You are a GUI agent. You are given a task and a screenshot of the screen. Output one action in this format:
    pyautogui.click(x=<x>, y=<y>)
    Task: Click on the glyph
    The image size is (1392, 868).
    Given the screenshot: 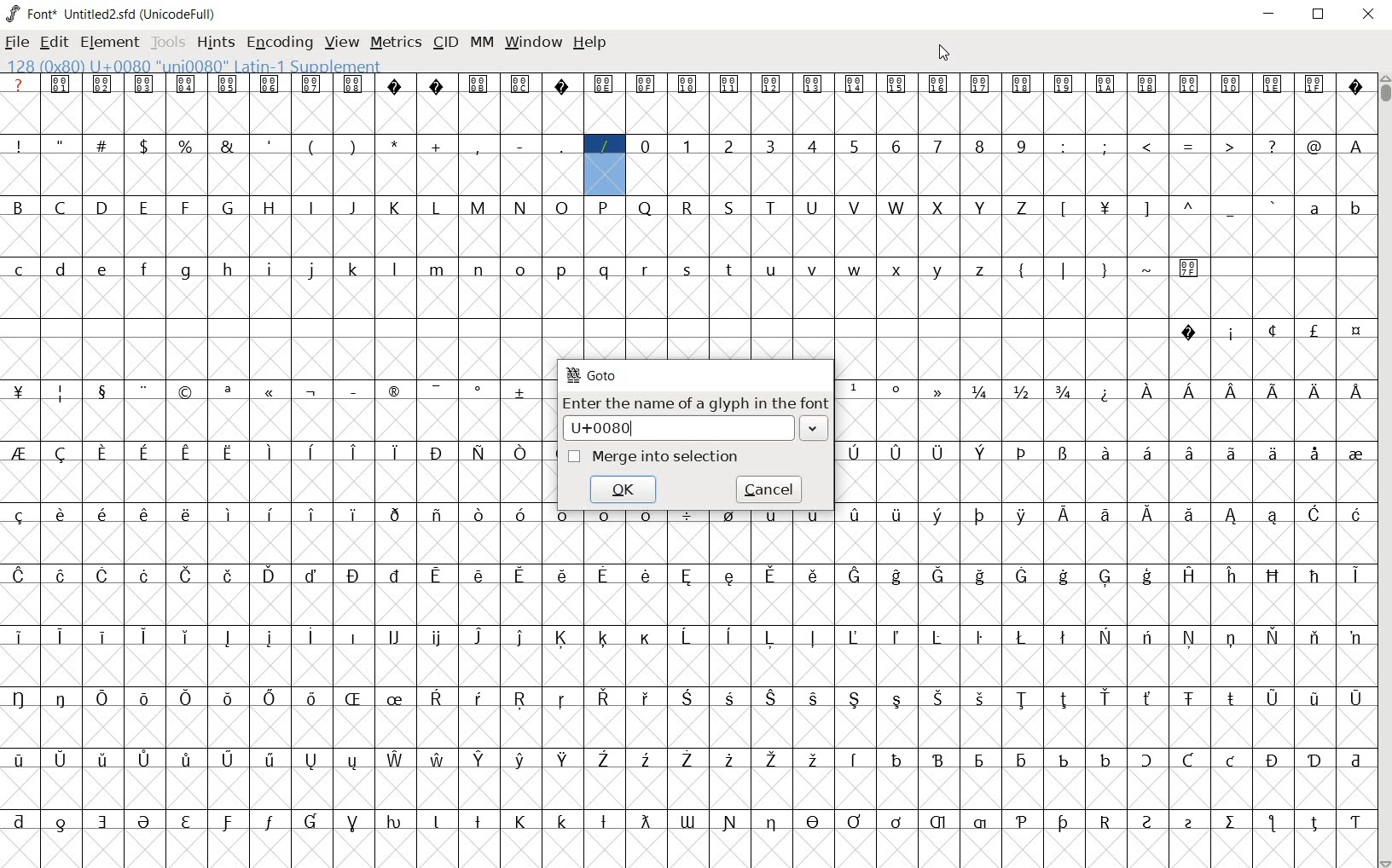 What is the action you would take?
    pyautogui.click(x=938, y=760)
    